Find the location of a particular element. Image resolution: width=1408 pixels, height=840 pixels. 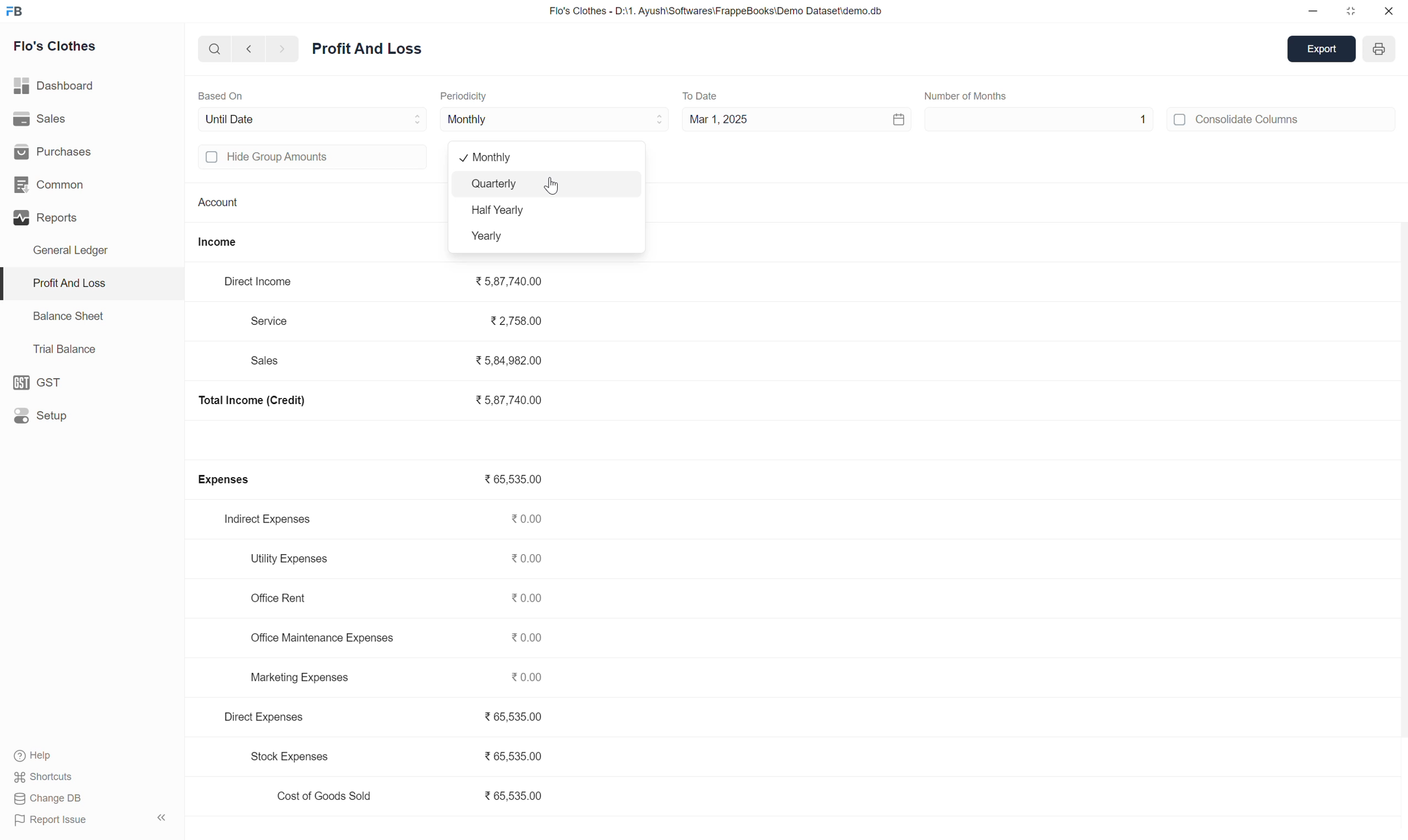

Cursor is located at coordinates (556, 184).